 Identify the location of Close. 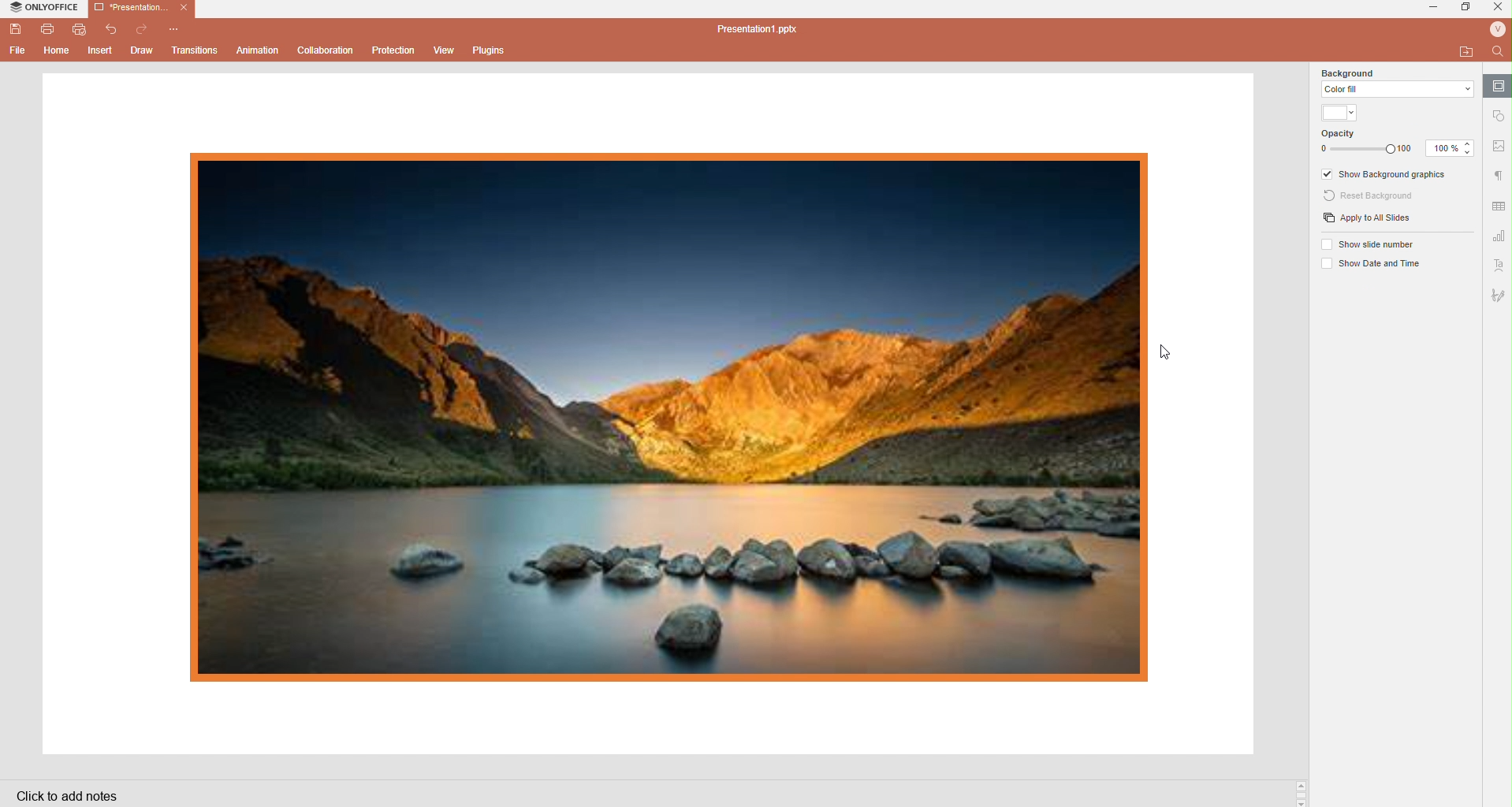
(184, 9).